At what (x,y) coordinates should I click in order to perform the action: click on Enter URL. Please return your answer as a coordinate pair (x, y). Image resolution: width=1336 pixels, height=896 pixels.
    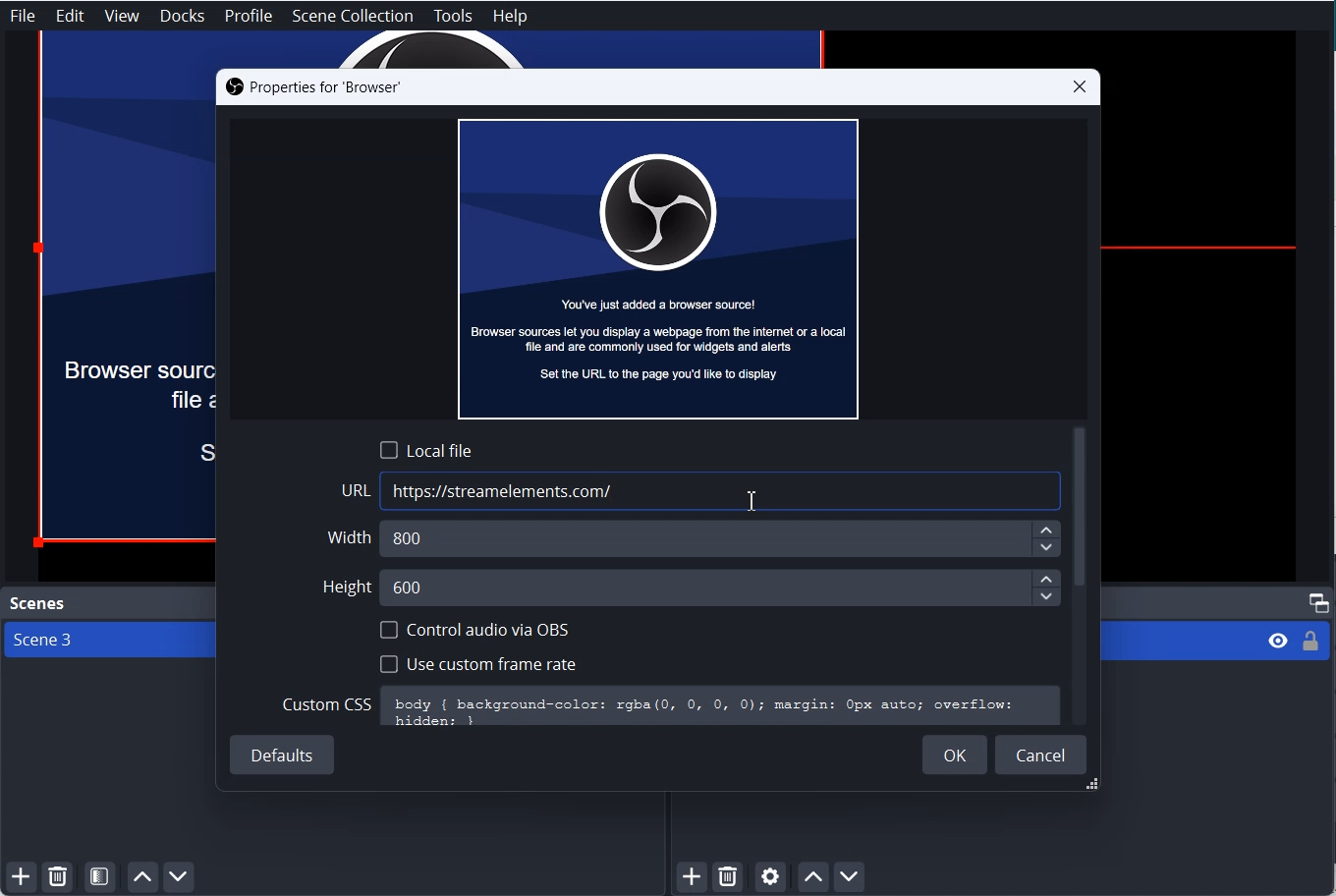
    Looking at the image, I should click on (701, 491).